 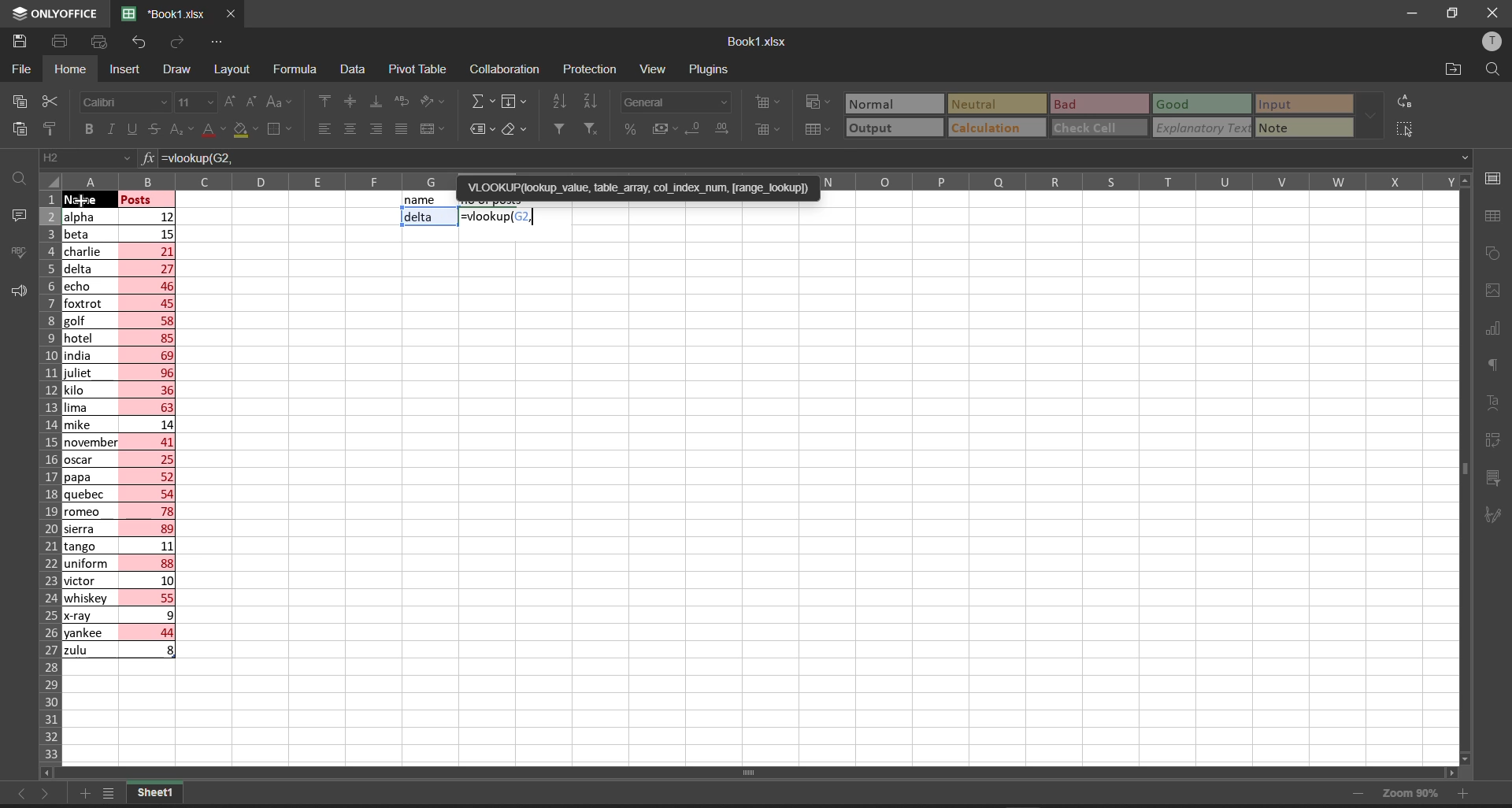 I want to click on delta, so click(x=421, y=218).